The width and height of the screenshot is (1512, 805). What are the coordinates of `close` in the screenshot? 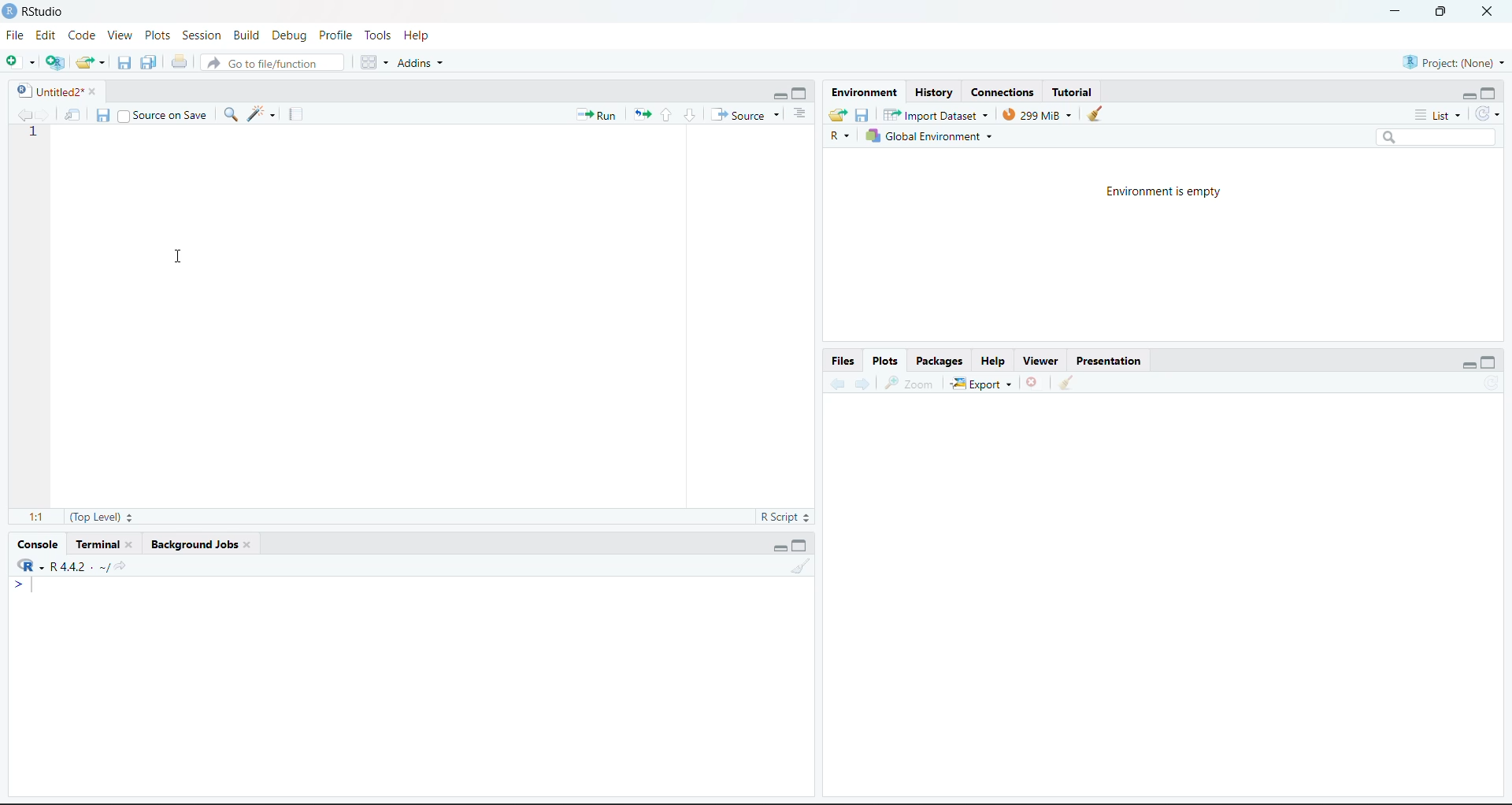 It's located at (246, 545).